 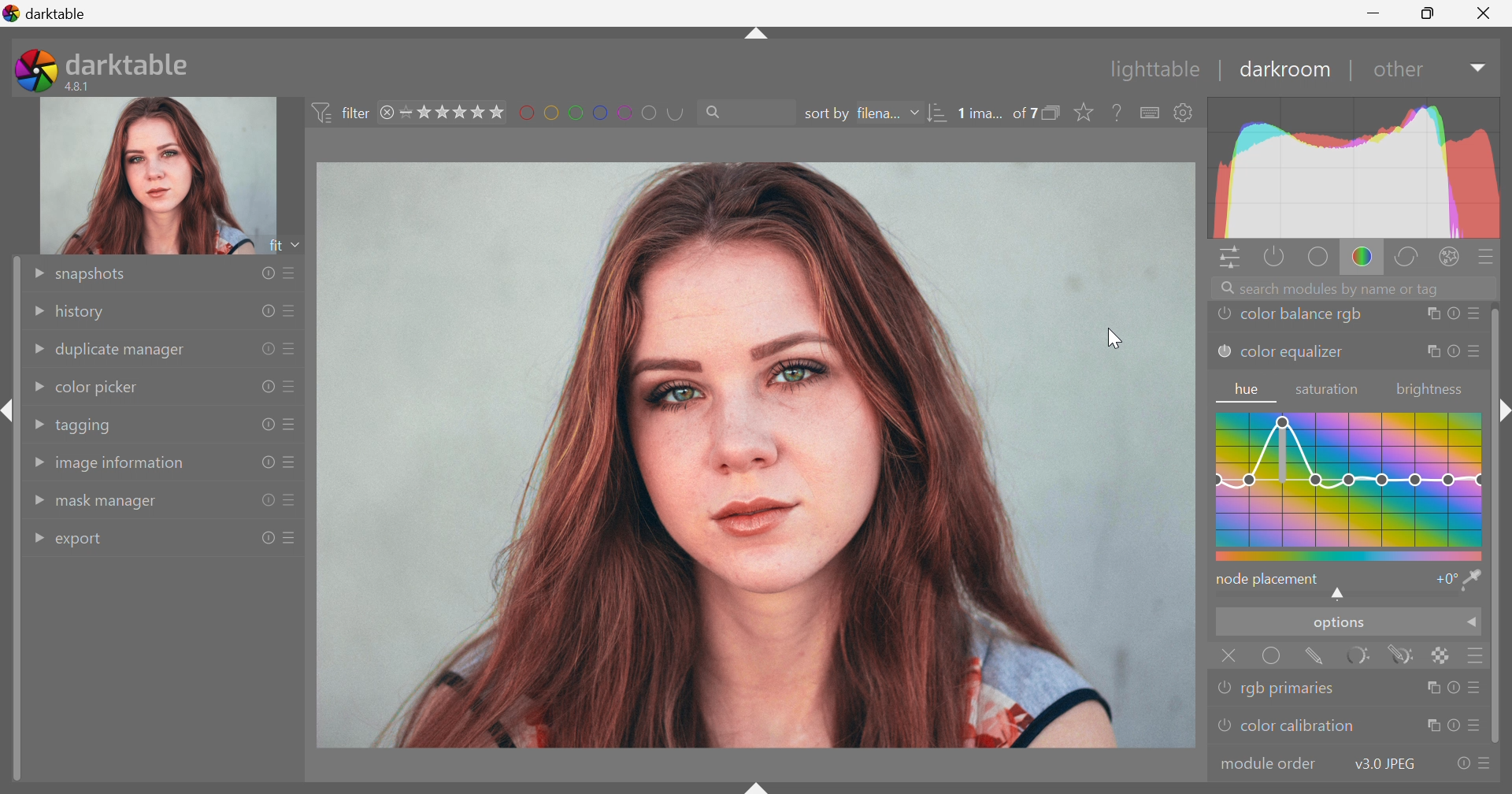 What do you see at coordinates (1458, 765) in the screenshot?
I see `reset` at bounding box center [1458, 765].